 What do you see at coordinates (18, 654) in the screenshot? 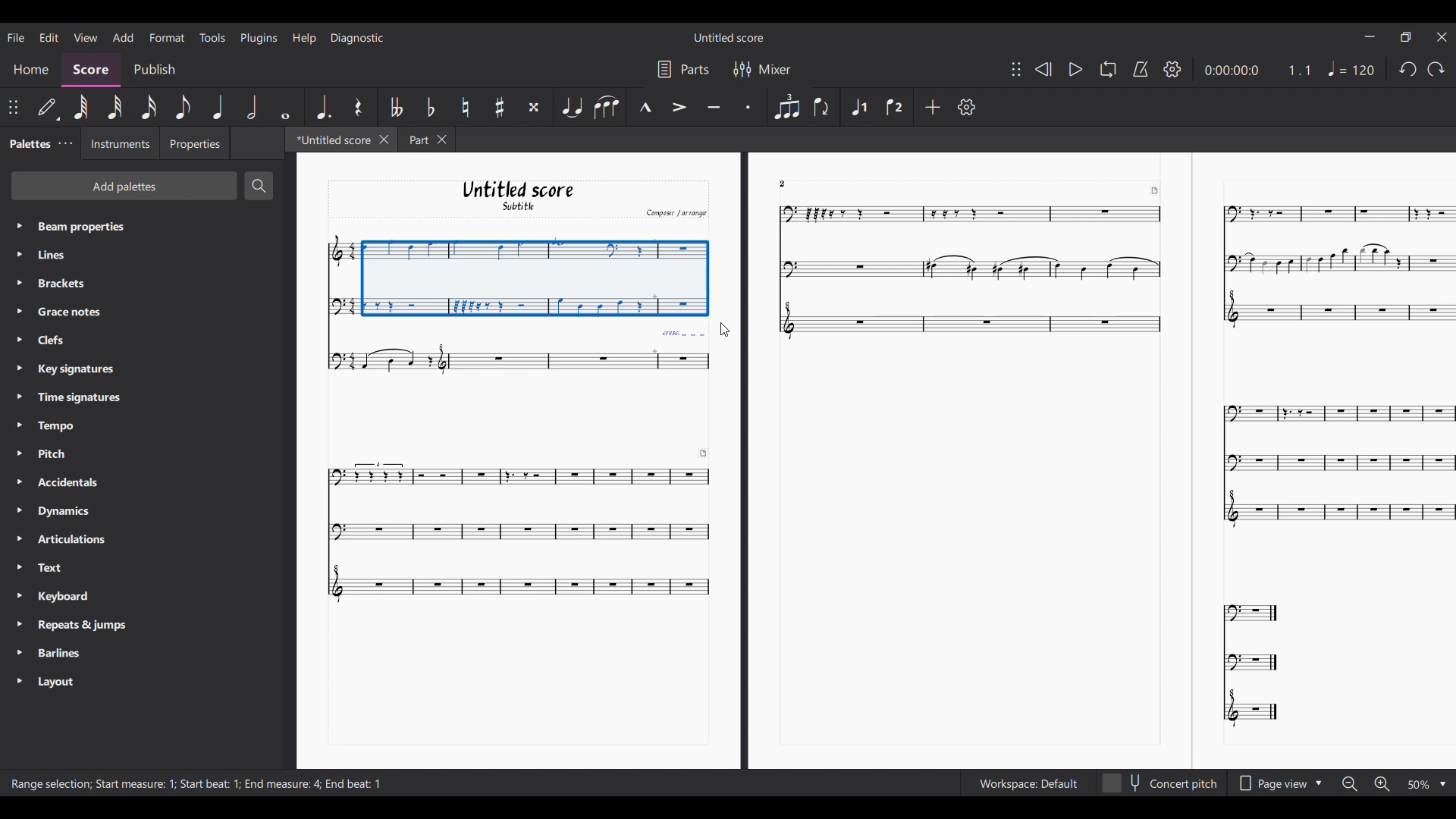
I see `` at bounding box center [18, 654].